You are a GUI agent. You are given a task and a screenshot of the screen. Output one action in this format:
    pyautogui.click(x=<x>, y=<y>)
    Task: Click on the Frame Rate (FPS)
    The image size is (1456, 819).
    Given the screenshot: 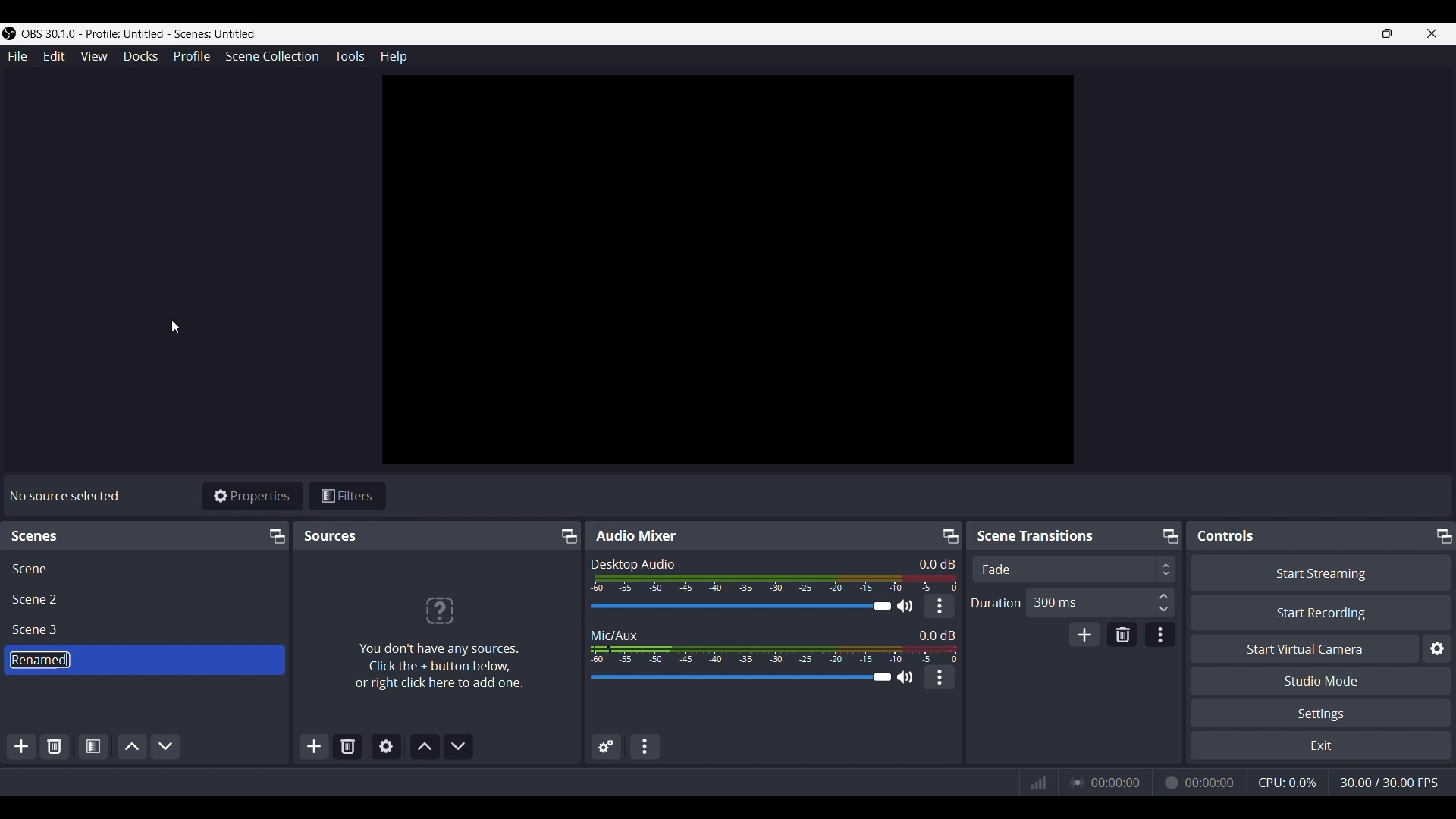 What is the action you would take?
    pyautogui.click(x=1389, y=783)
    